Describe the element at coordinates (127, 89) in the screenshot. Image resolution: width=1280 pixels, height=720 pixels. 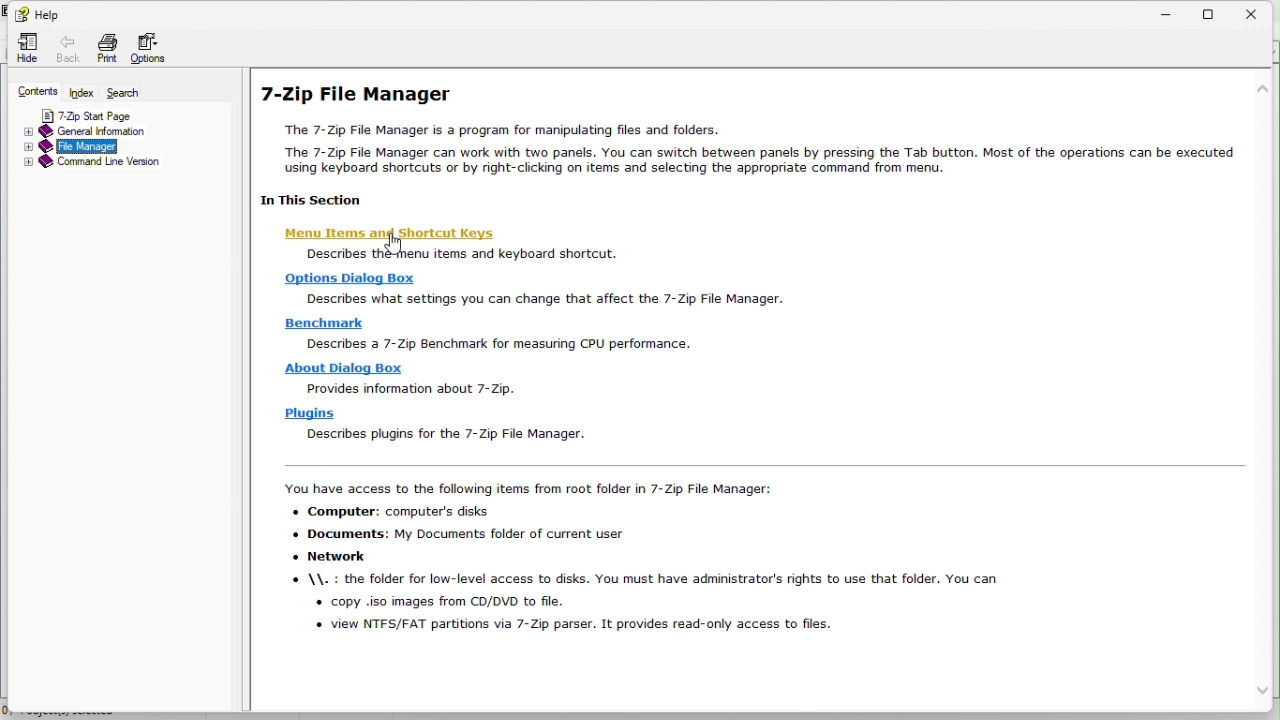
I see `Search ` at that location.